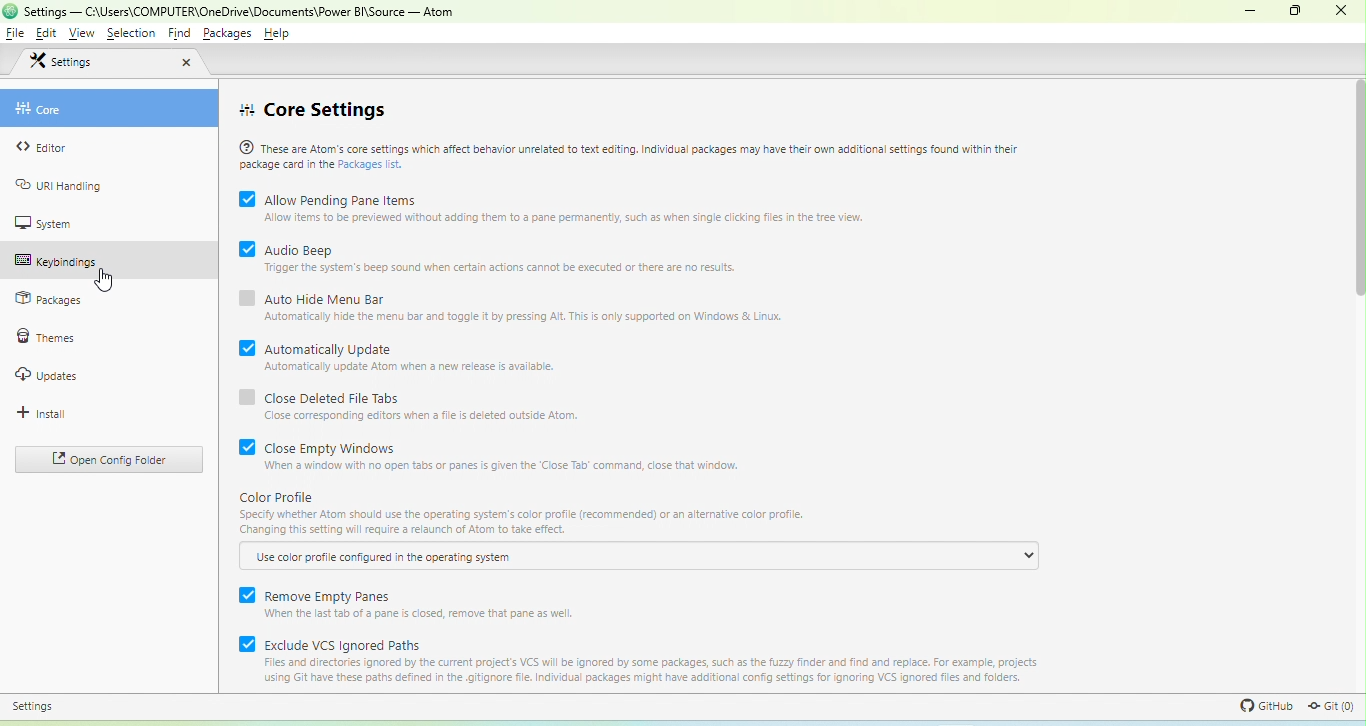 The image size is (1366, 726). What do you see at coordinates (243, 11) in the screenshot?
I see `settings - C:\Users\COMPUTER\OneDrive\Documents\Power BI\Source — Atom` at bounding box center [243, 11].